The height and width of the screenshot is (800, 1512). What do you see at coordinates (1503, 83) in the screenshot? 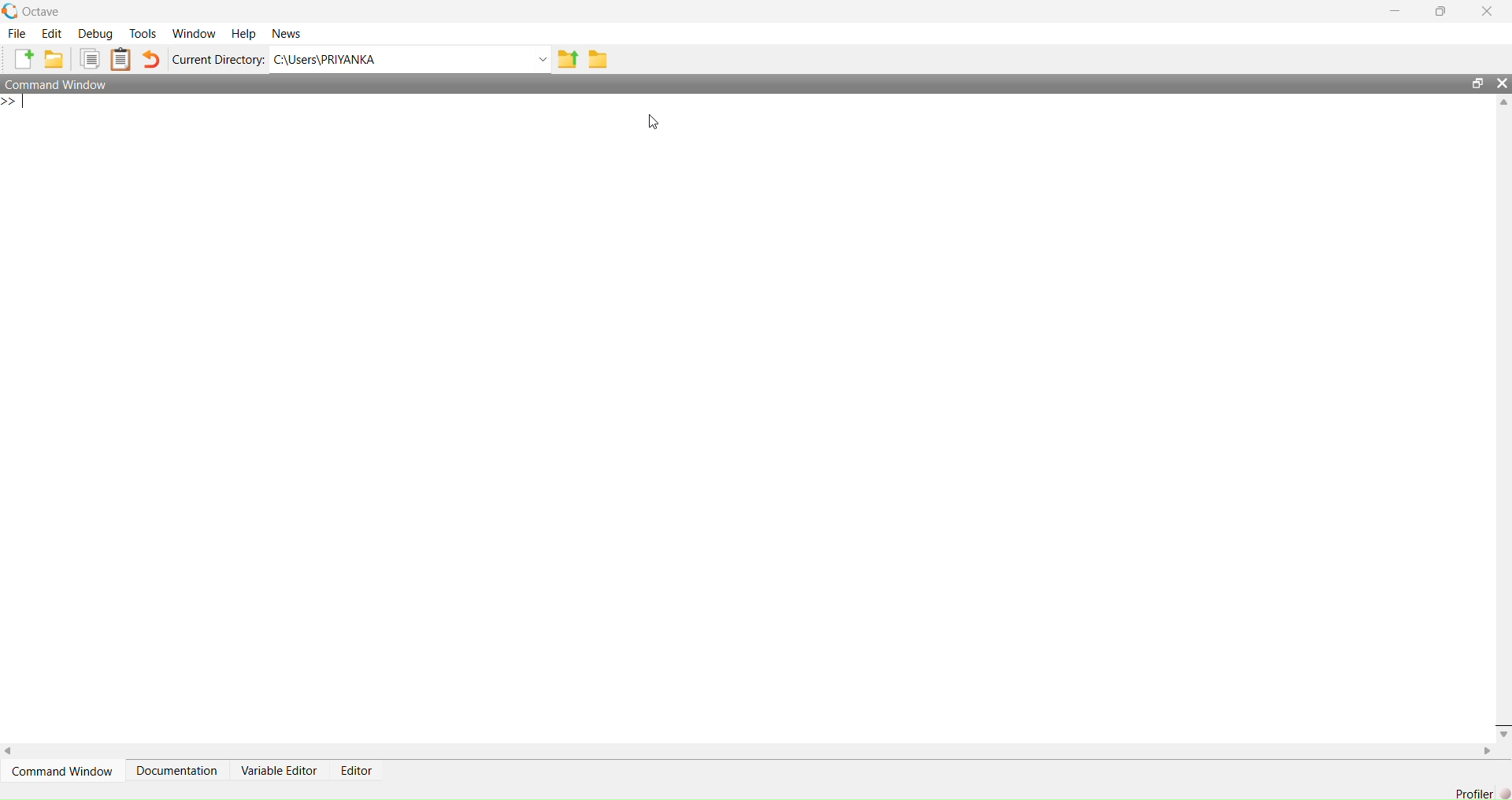
I see `Close` at bounding box center [1503, 83].